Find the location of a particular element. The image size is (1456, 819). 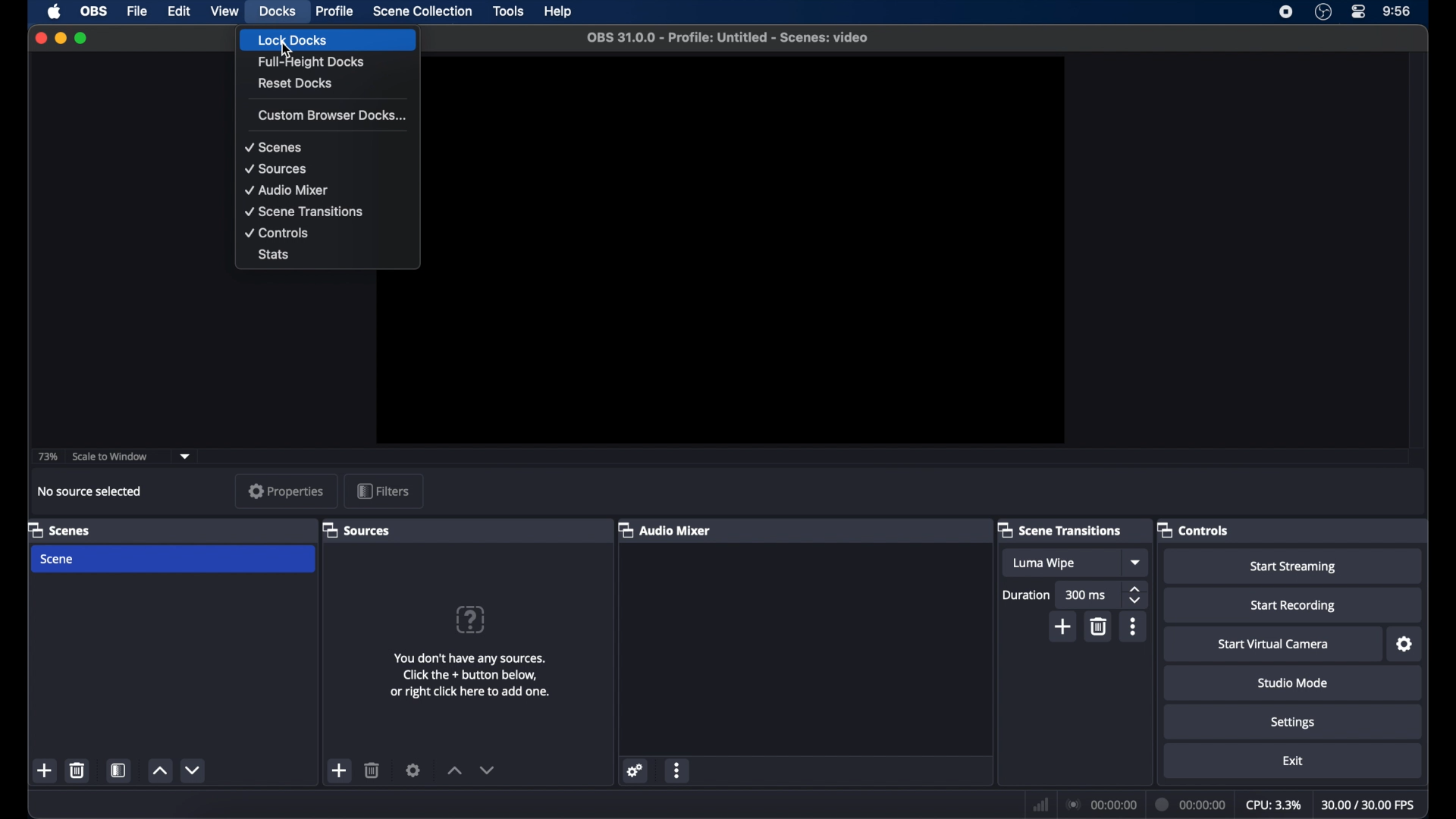

exit is located at coordinates (1293, 761).